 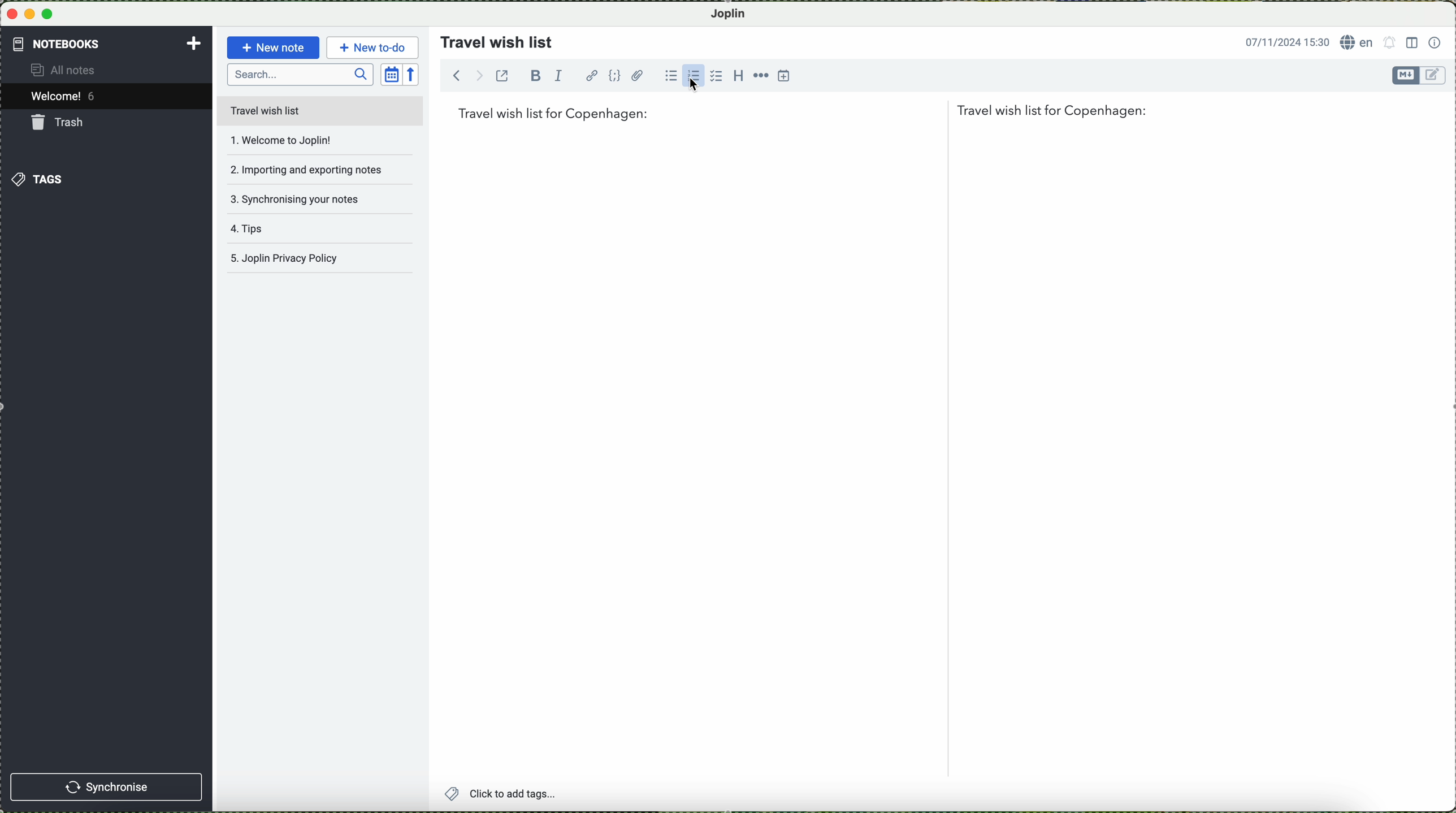 What do you see at coordinates (302, 141) in the screenshot?
I see `welcome to joplin` at bounding box center [302, 141].